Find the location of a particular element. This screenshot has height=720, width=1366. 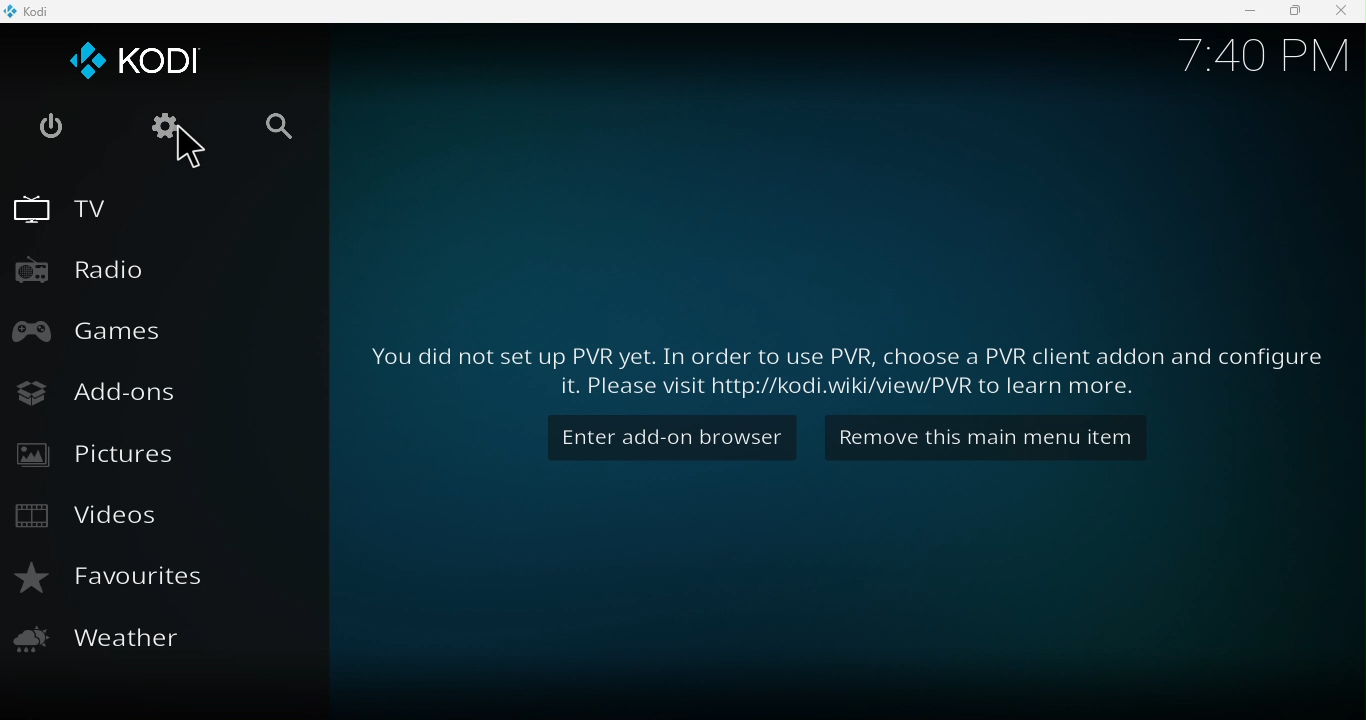

Enter add-on browser is located at coordinates (668, 437).